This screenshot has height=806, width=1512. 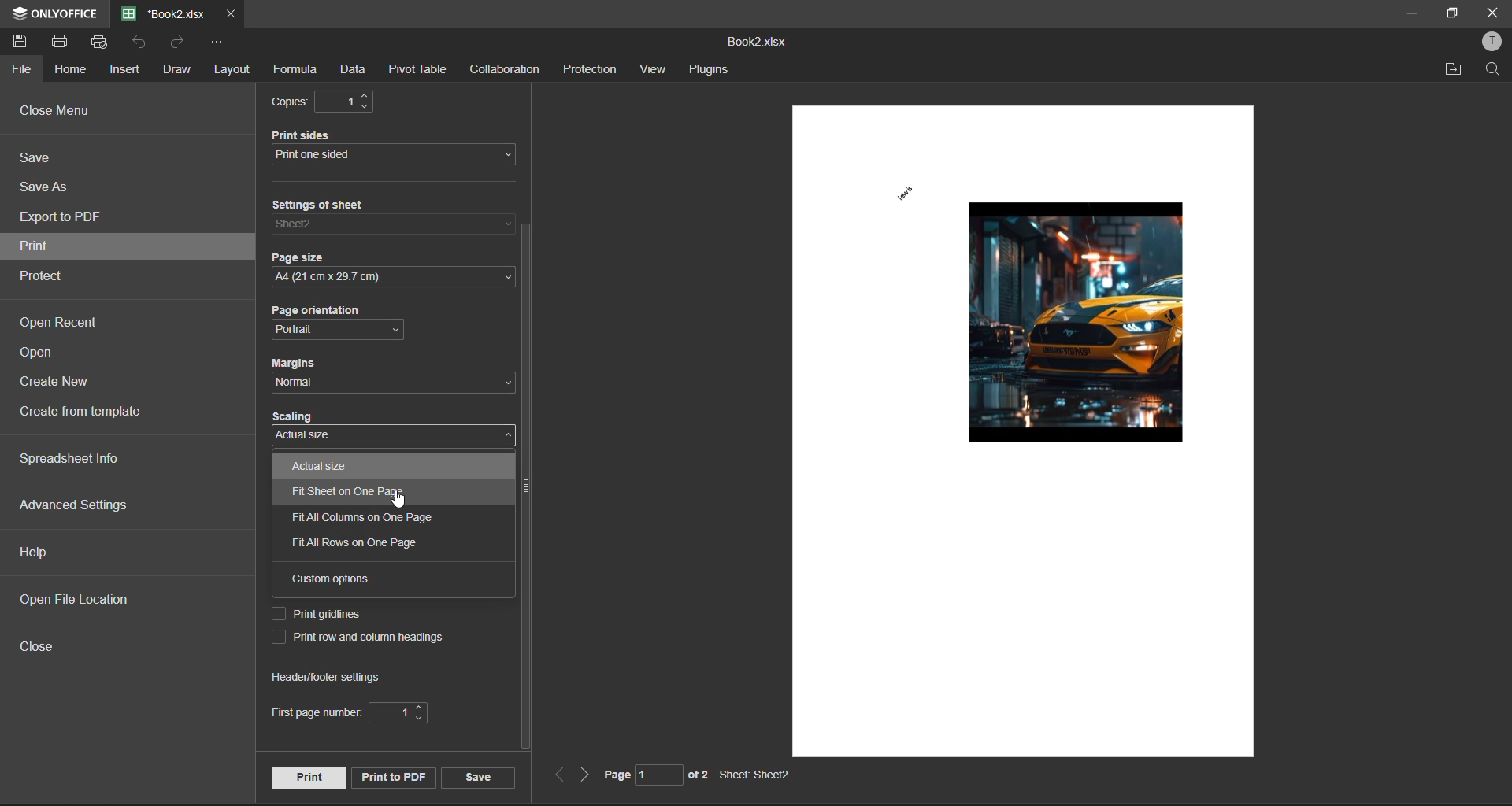 I want to click on print sides, so click(x=316, y=135).